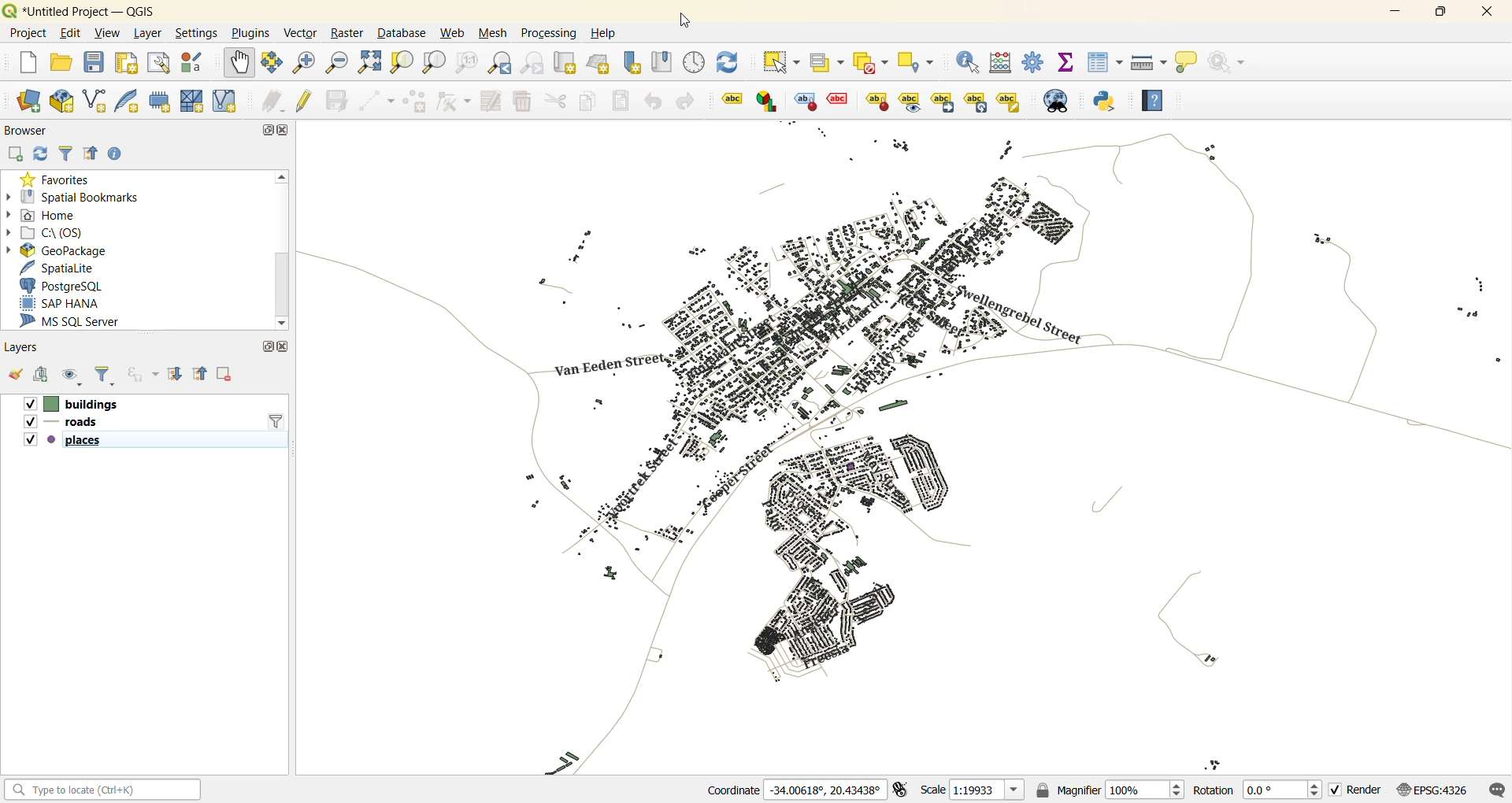 Image resolution: width=1512 pixels, height=803 pixels. I want to click on render, so click(1359, 791).